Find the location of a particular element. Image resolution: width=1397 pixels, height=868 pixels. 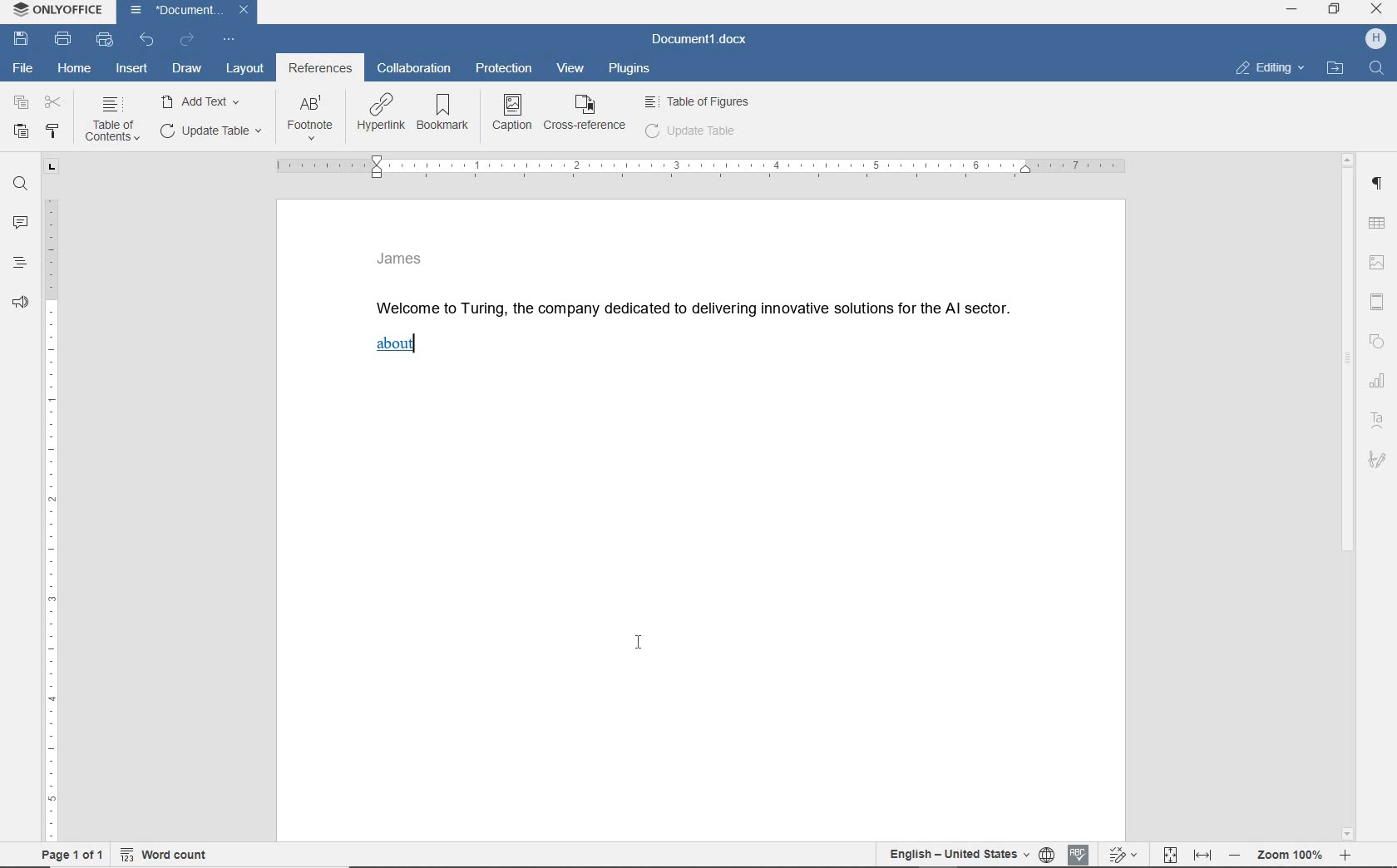

collaboration is located at coordinates (417, 69).